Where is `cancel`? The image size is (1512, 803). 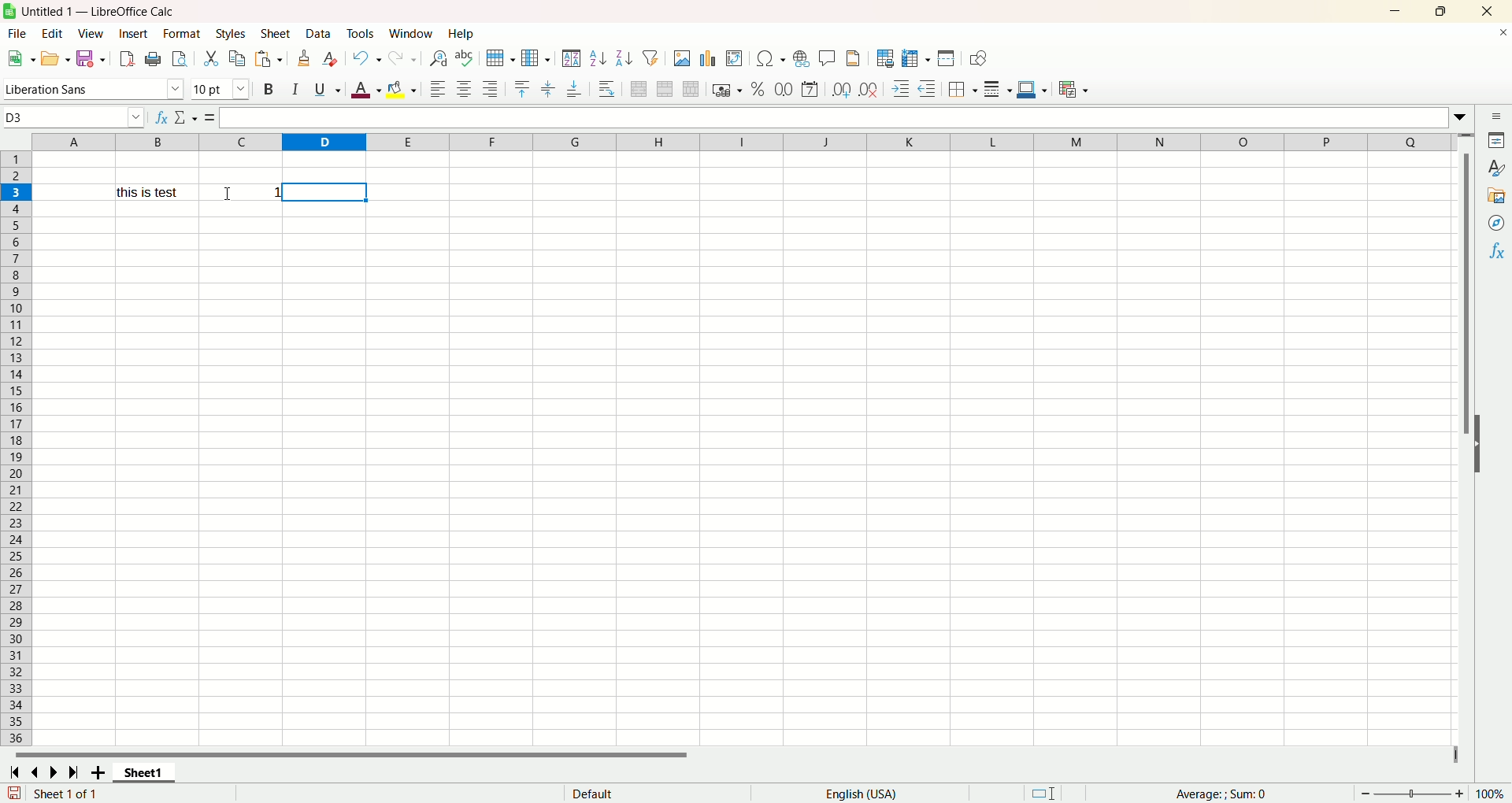 cancel is located at coordinates (180, 118).